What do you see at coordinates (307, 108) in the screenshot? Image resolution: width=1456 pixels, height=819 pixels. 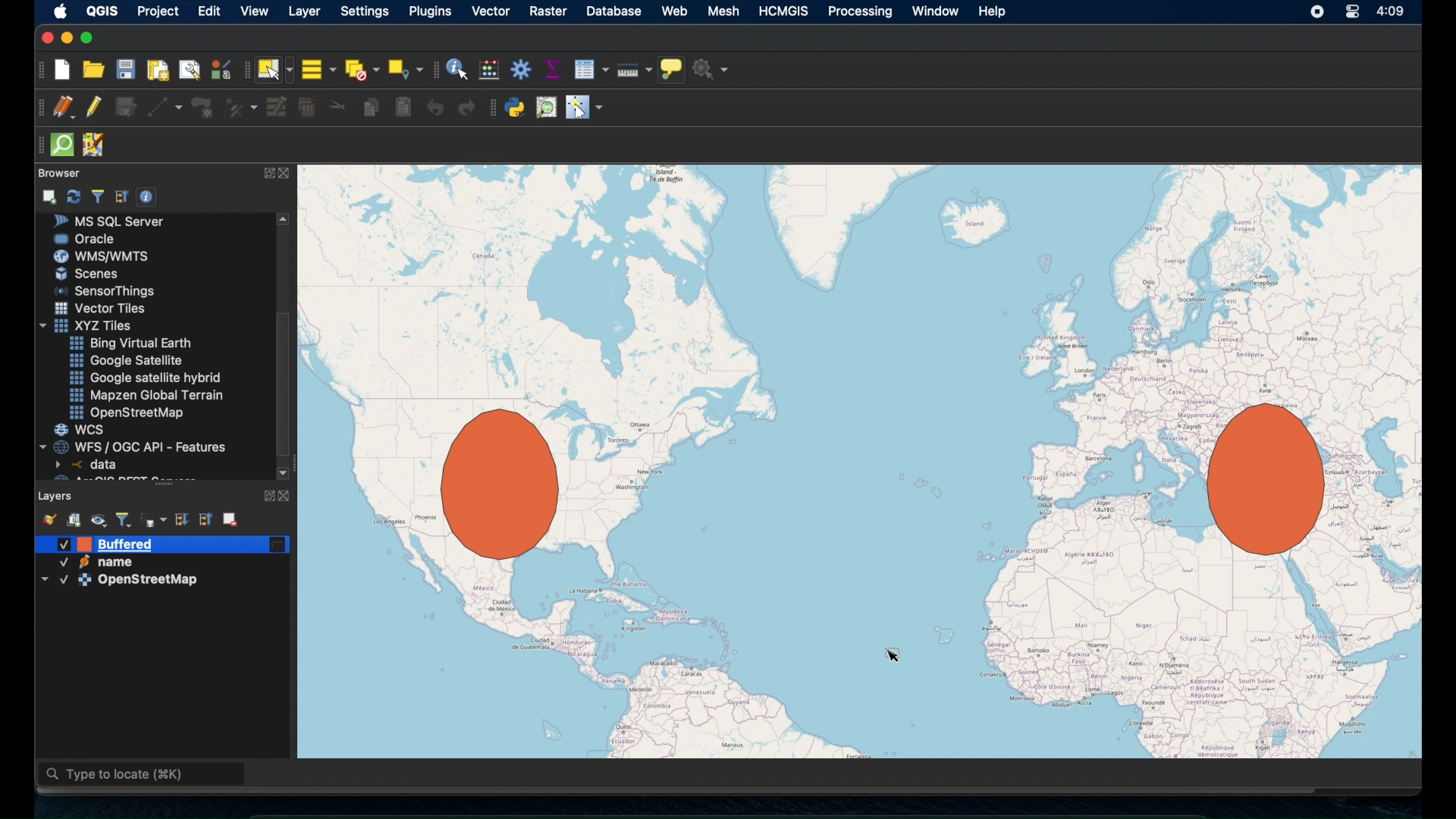 I see `delete select ted` at bounding box center [307, 108].